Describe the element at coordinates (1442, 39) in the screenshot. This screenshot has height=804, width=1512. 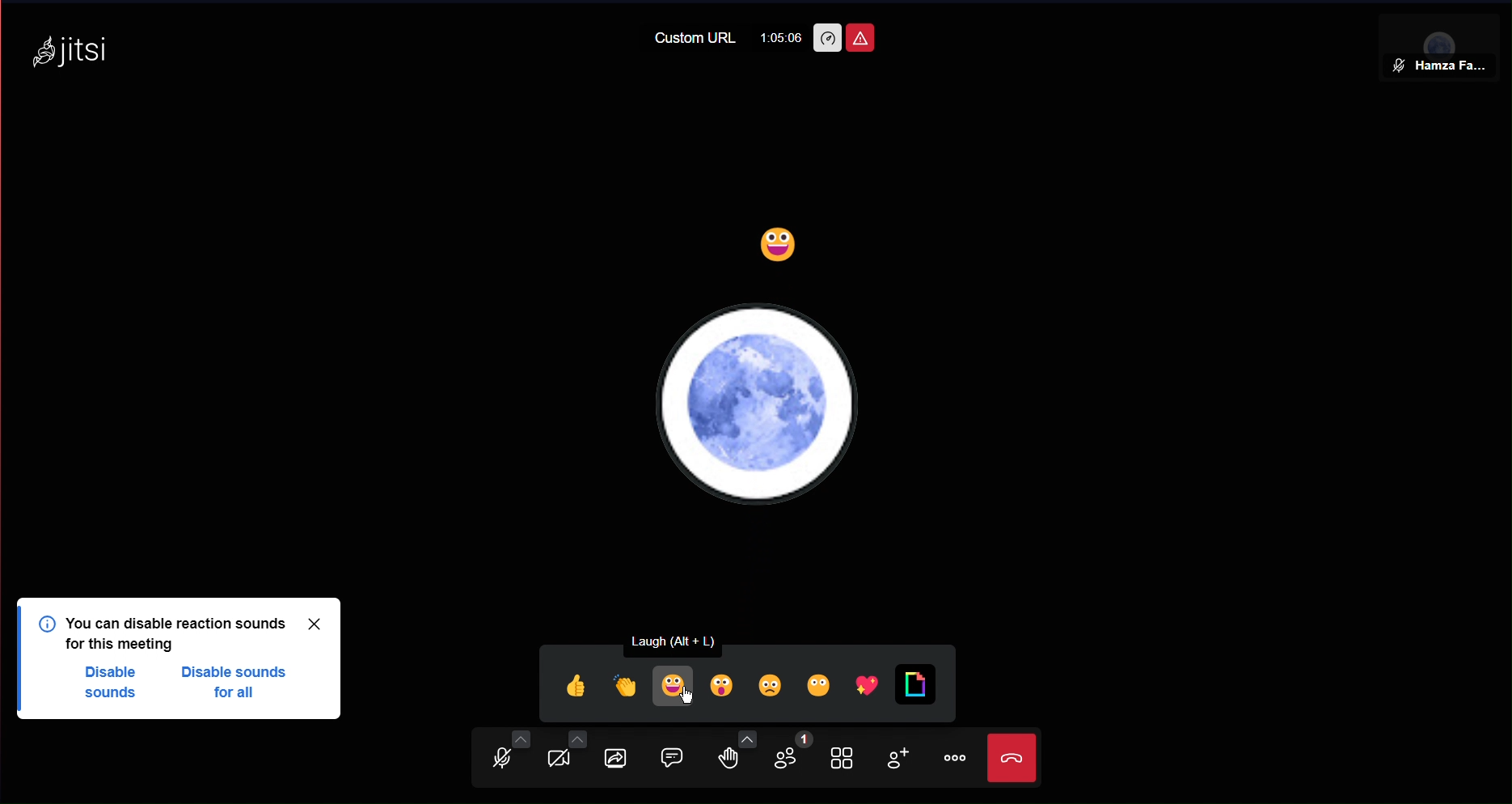
I see `Participant View` at that location.